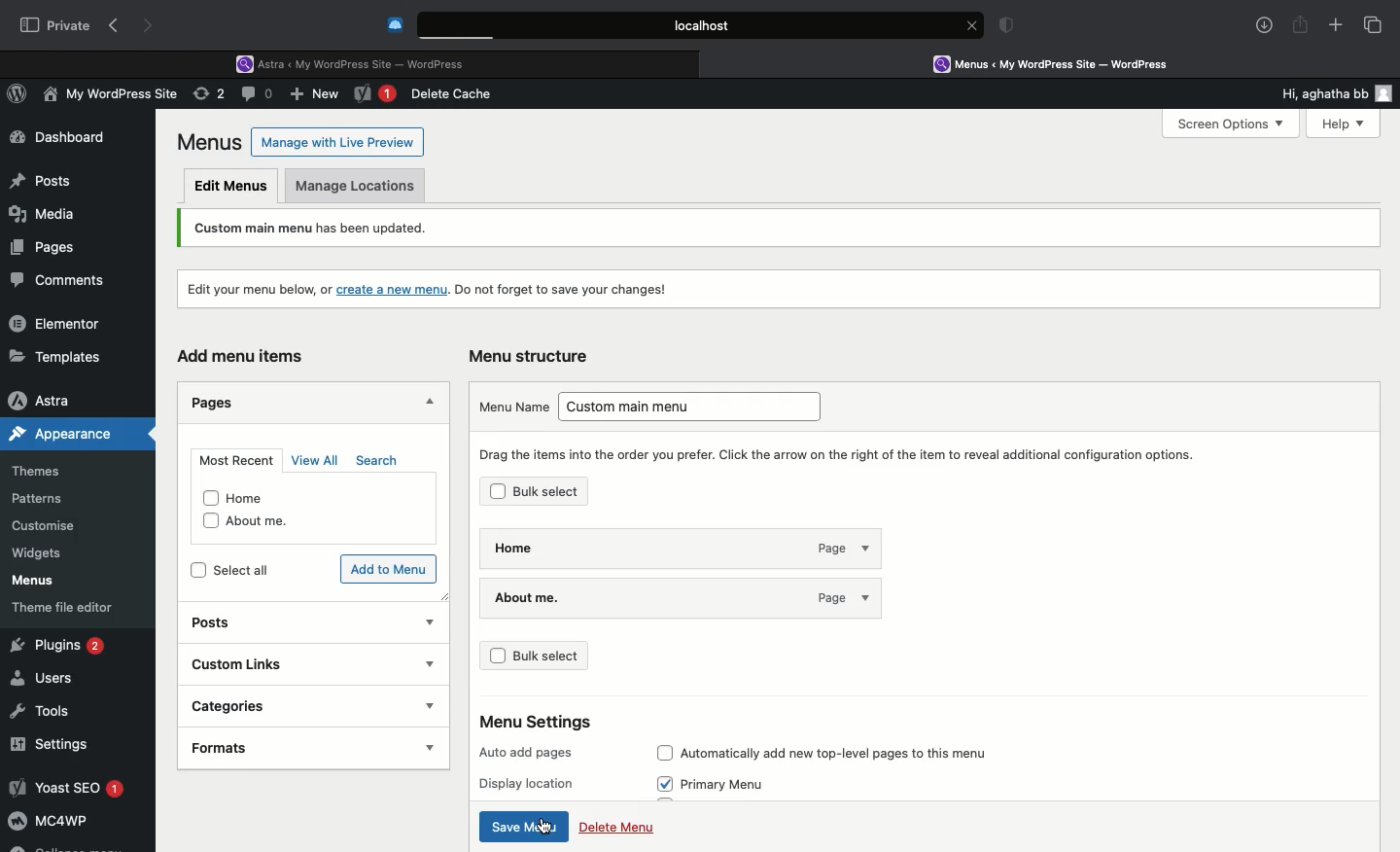  What do you see at coordinates (533, 783) in the screenshot?
I see `Display location` at bounding box center [533, 783].